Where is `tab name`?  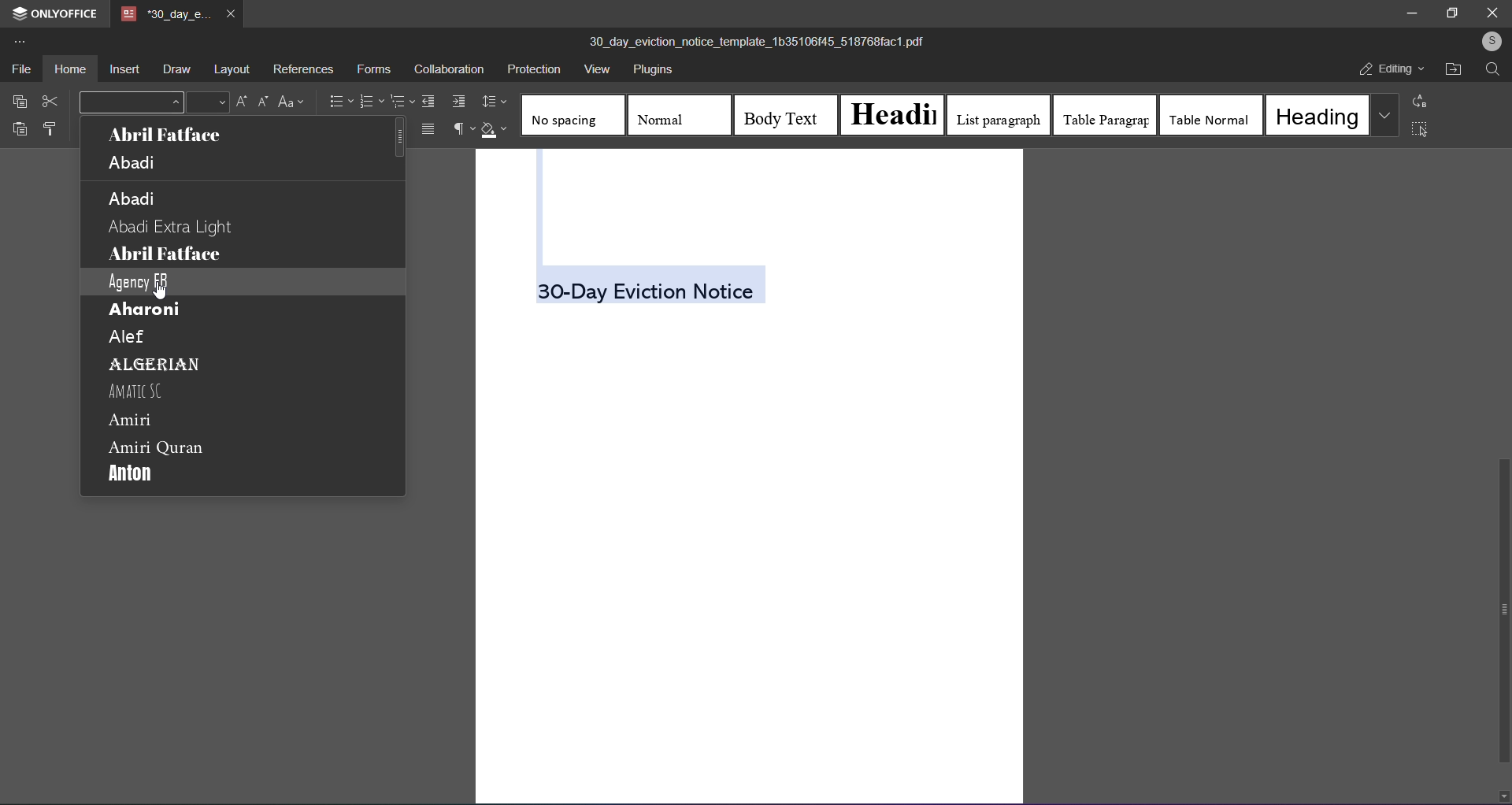 tab name is located at coordinates (165, 14).